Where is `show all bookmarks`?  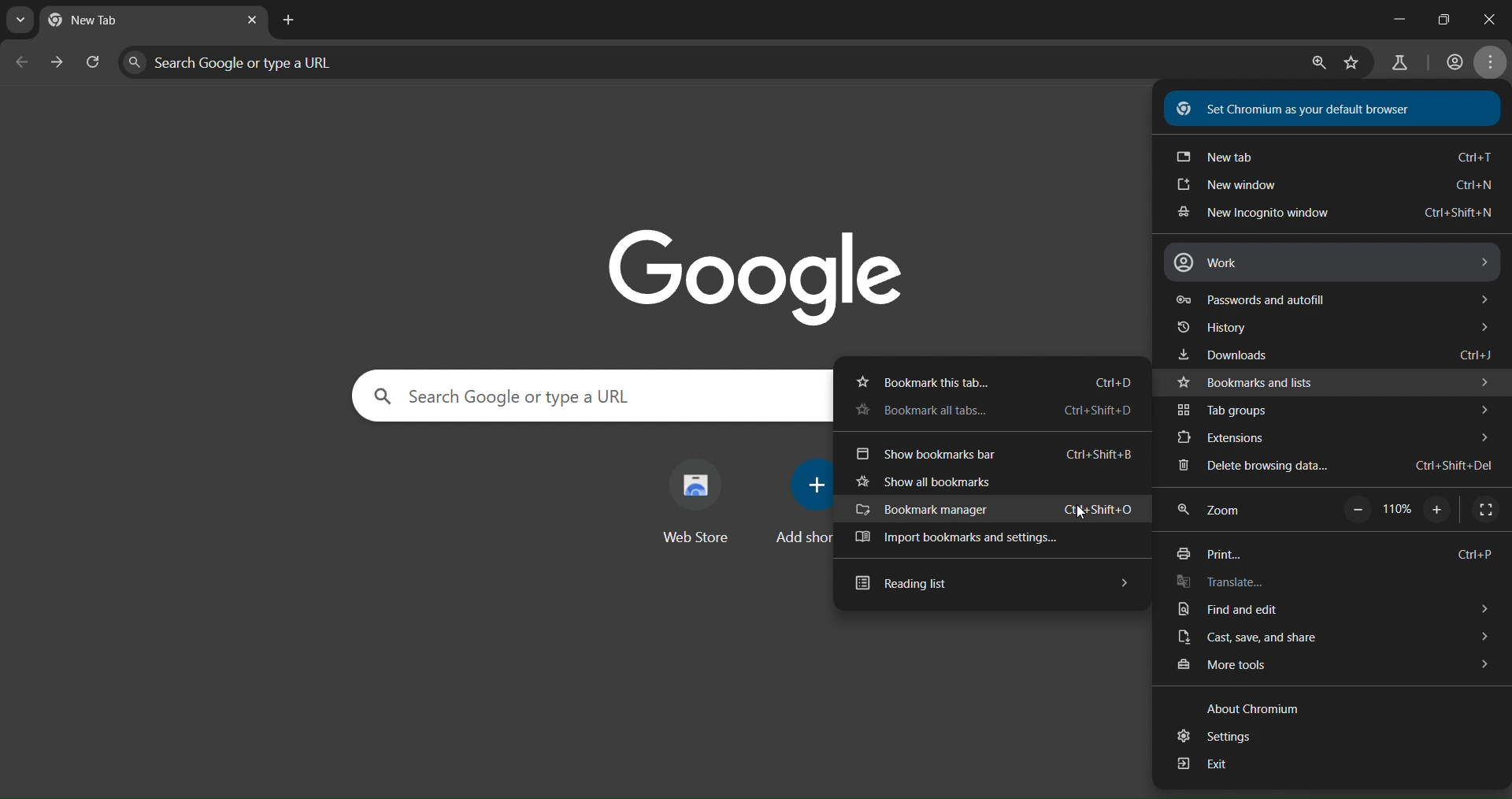 show all bookmarks is located at coordinates (930, 481).